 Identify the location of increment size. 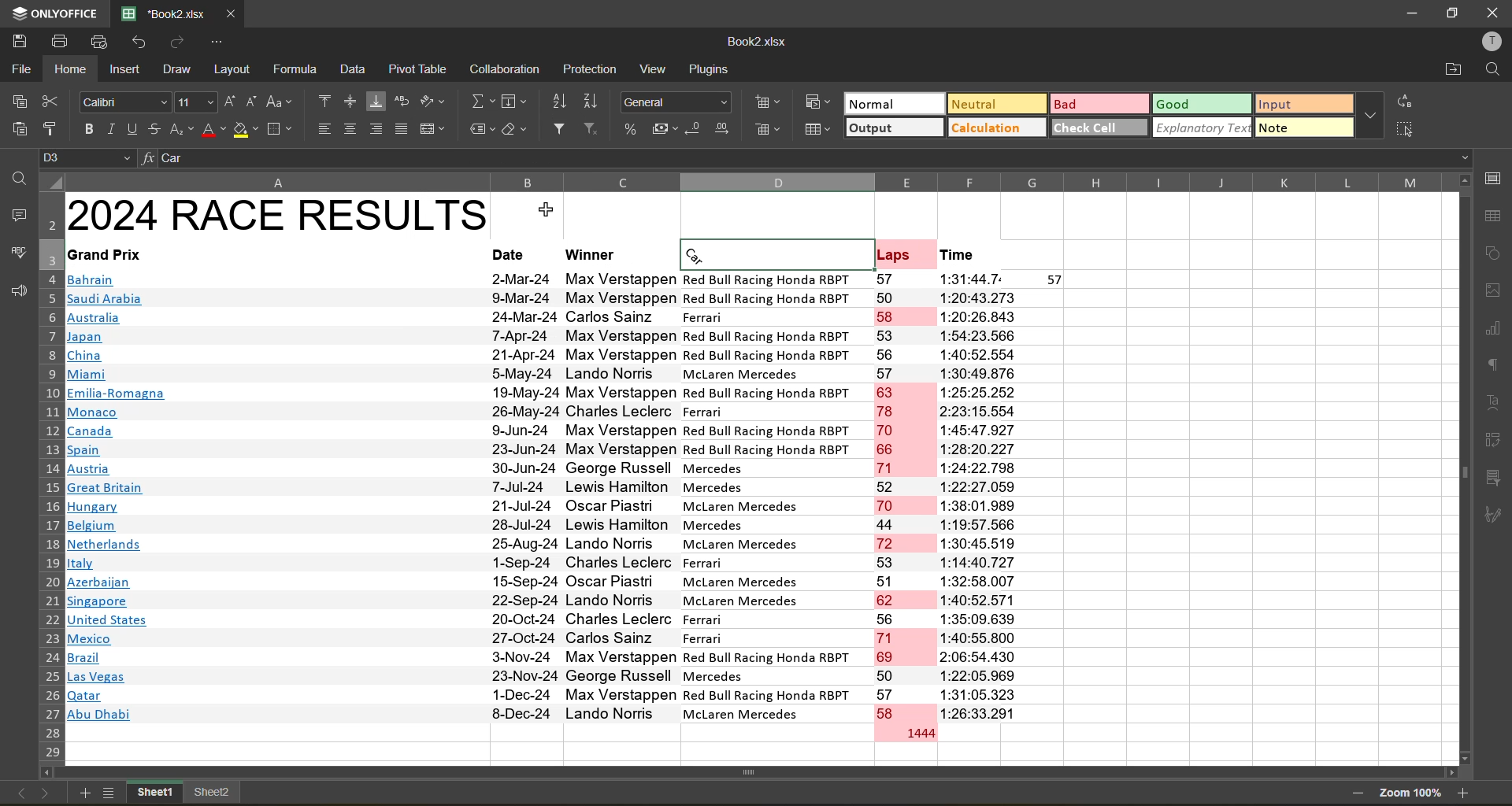
(232, 102).